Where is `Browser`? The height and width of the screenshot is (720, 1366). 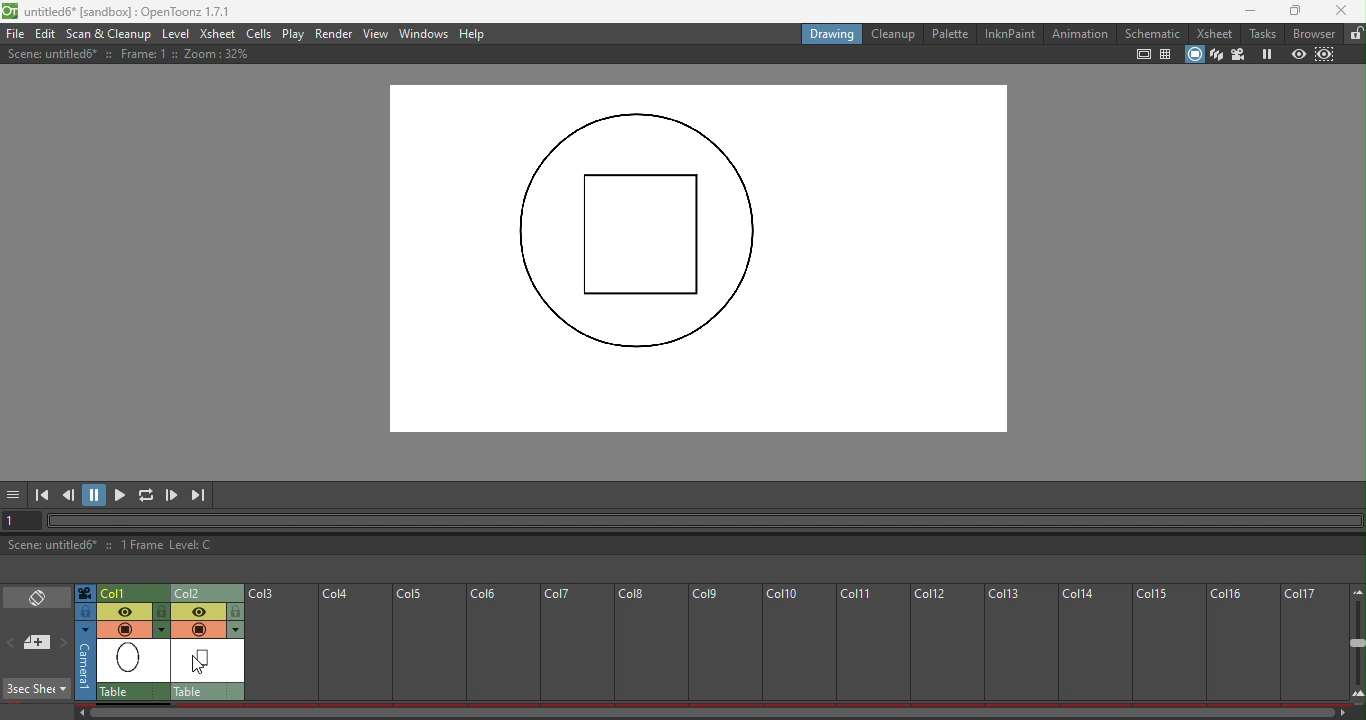 Browser is located at coordinates (1311, 34).